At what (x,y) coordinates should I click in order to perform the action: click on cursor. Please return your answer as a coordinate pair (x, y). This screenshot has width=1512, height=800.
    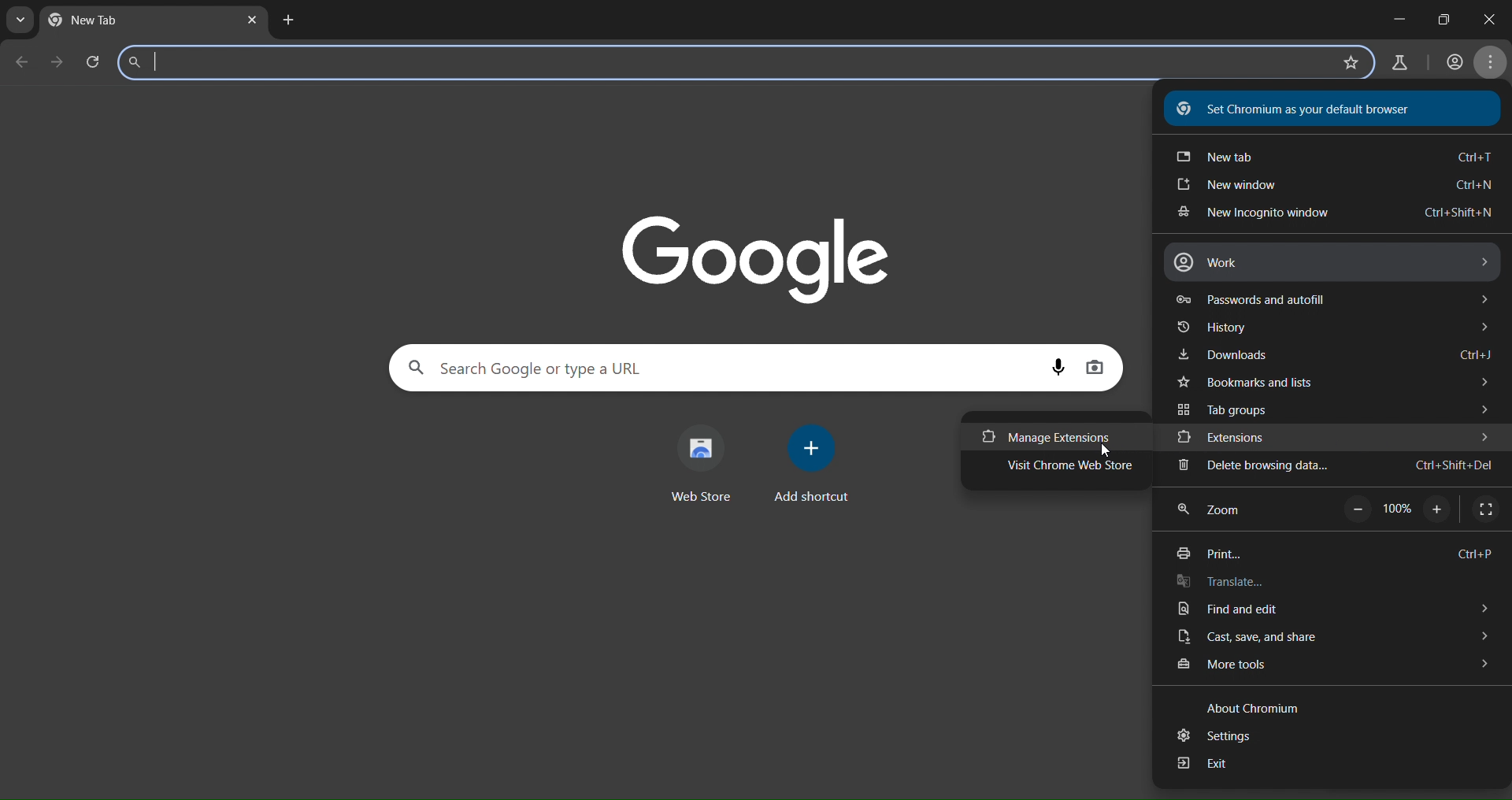
    Looking at the image, I should click on (1108, 453).